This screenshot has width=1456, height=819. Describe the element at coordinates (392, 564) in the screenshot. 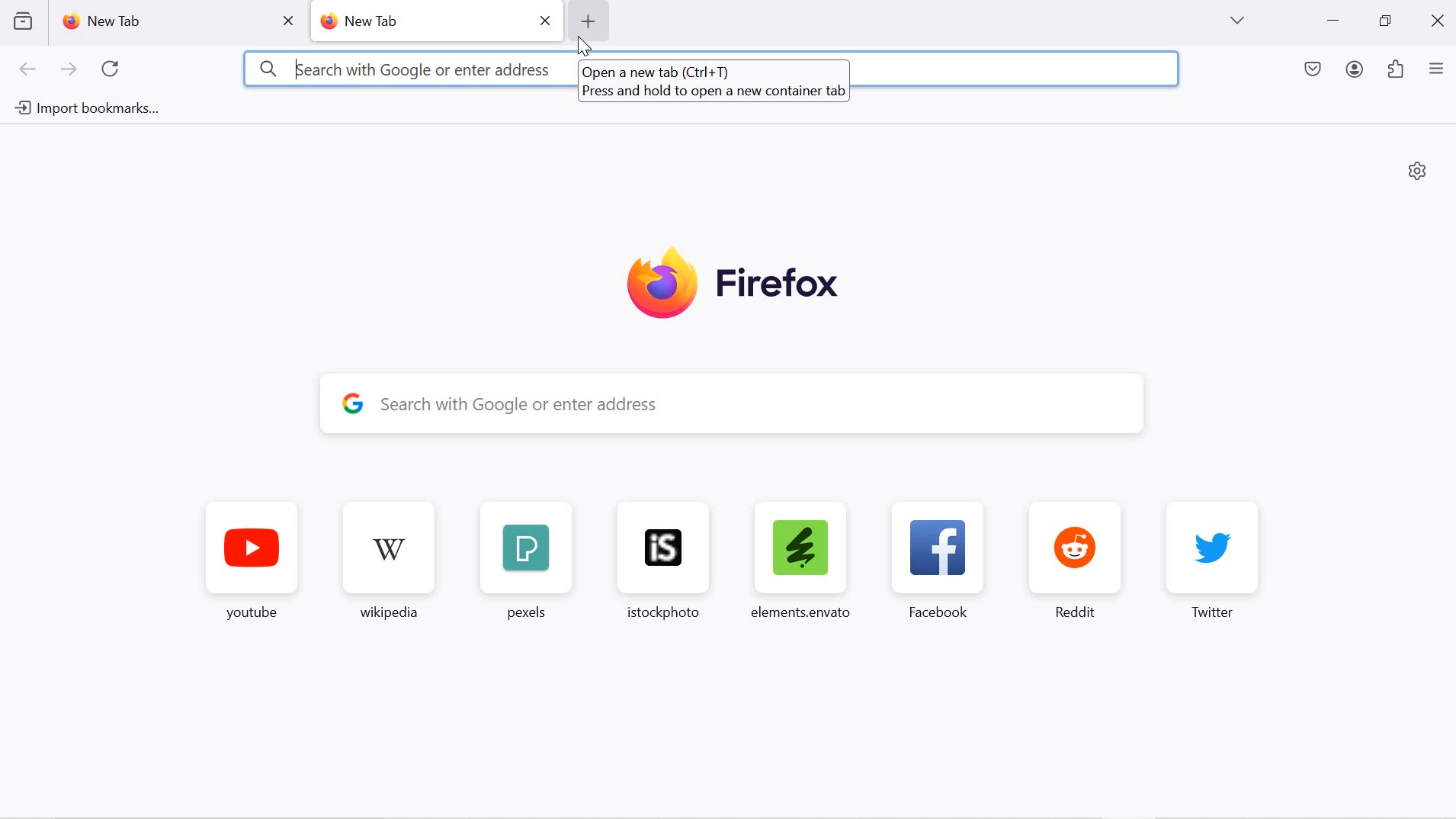

I see `wikipedia favorite` at that location.